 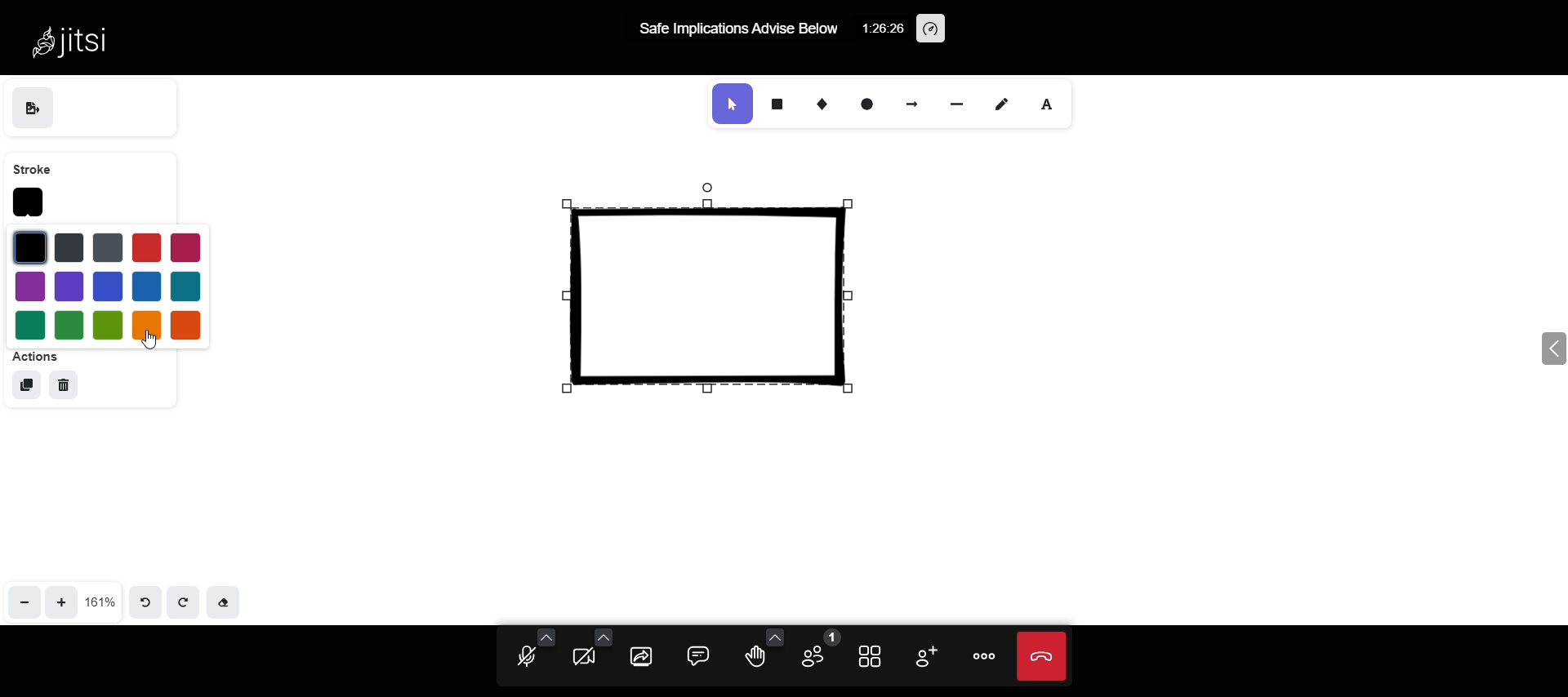 What do you see at coordinates (100, 599) in the screenshot?
I see `161%` at bounding box center [100, 599].